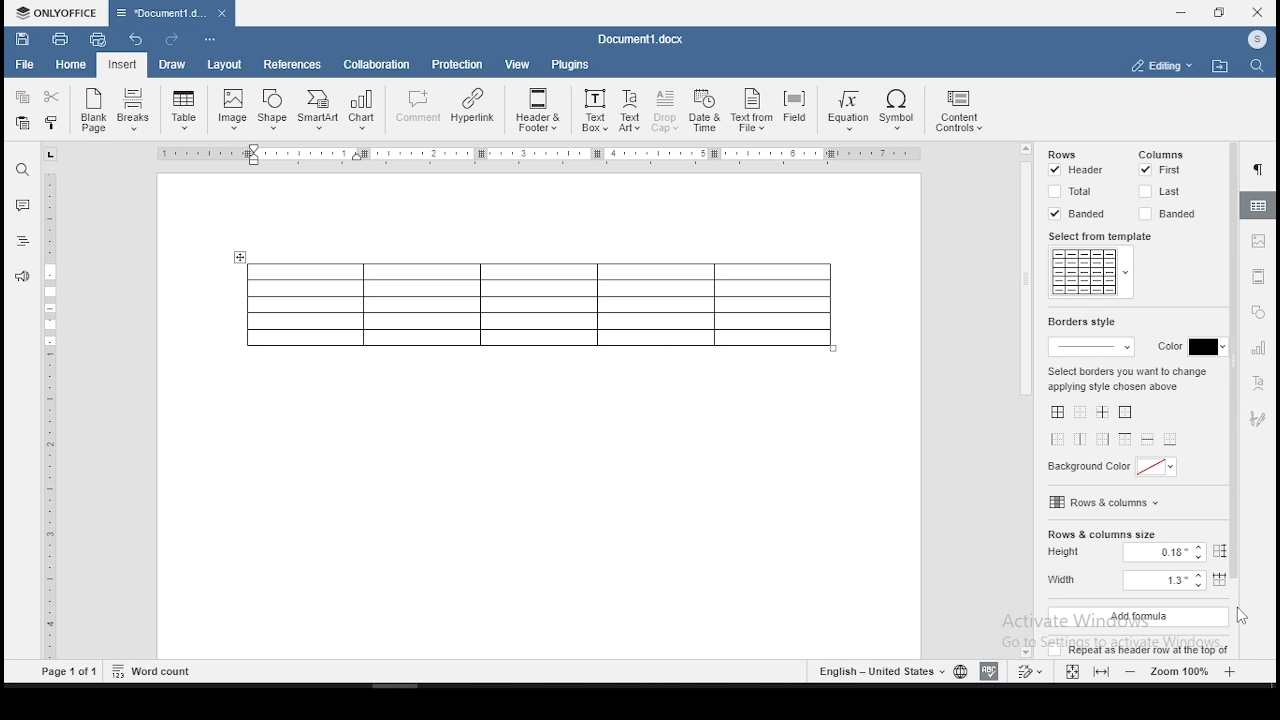 The height and width of the screenshot is (720, 1280). What do you see at coordinates (1099, 236) in the screenshot?
I see `select from template` at bounding box center [1099, 236].